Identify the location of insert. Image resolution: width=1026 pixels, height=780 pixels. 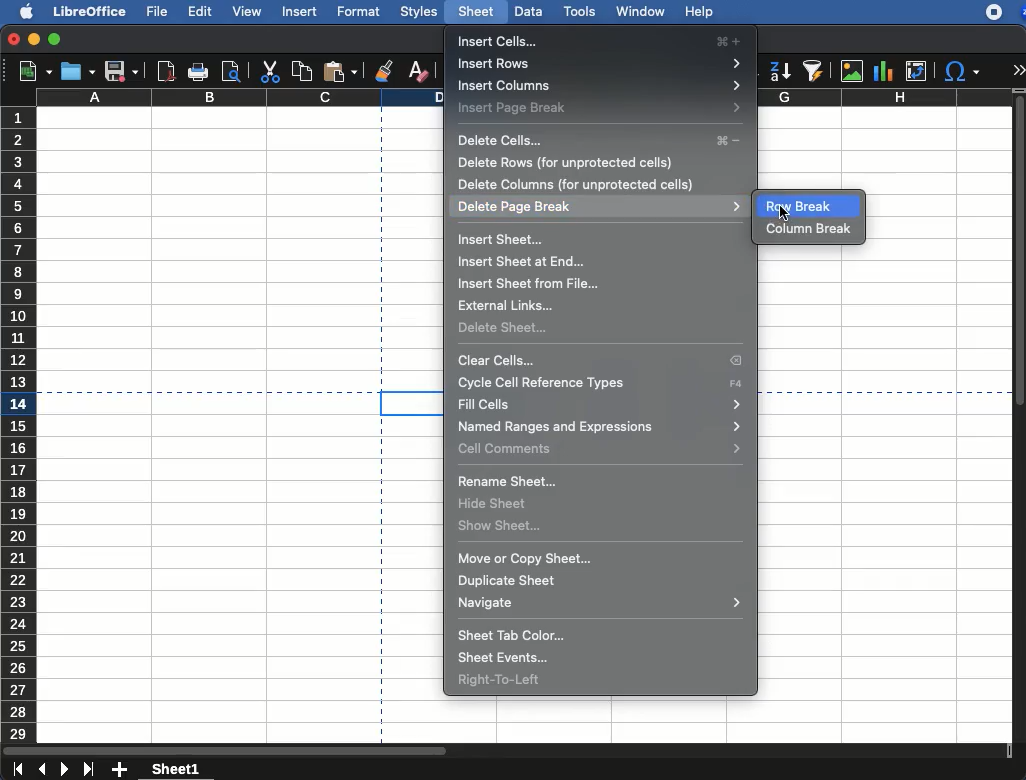
(301, 11).